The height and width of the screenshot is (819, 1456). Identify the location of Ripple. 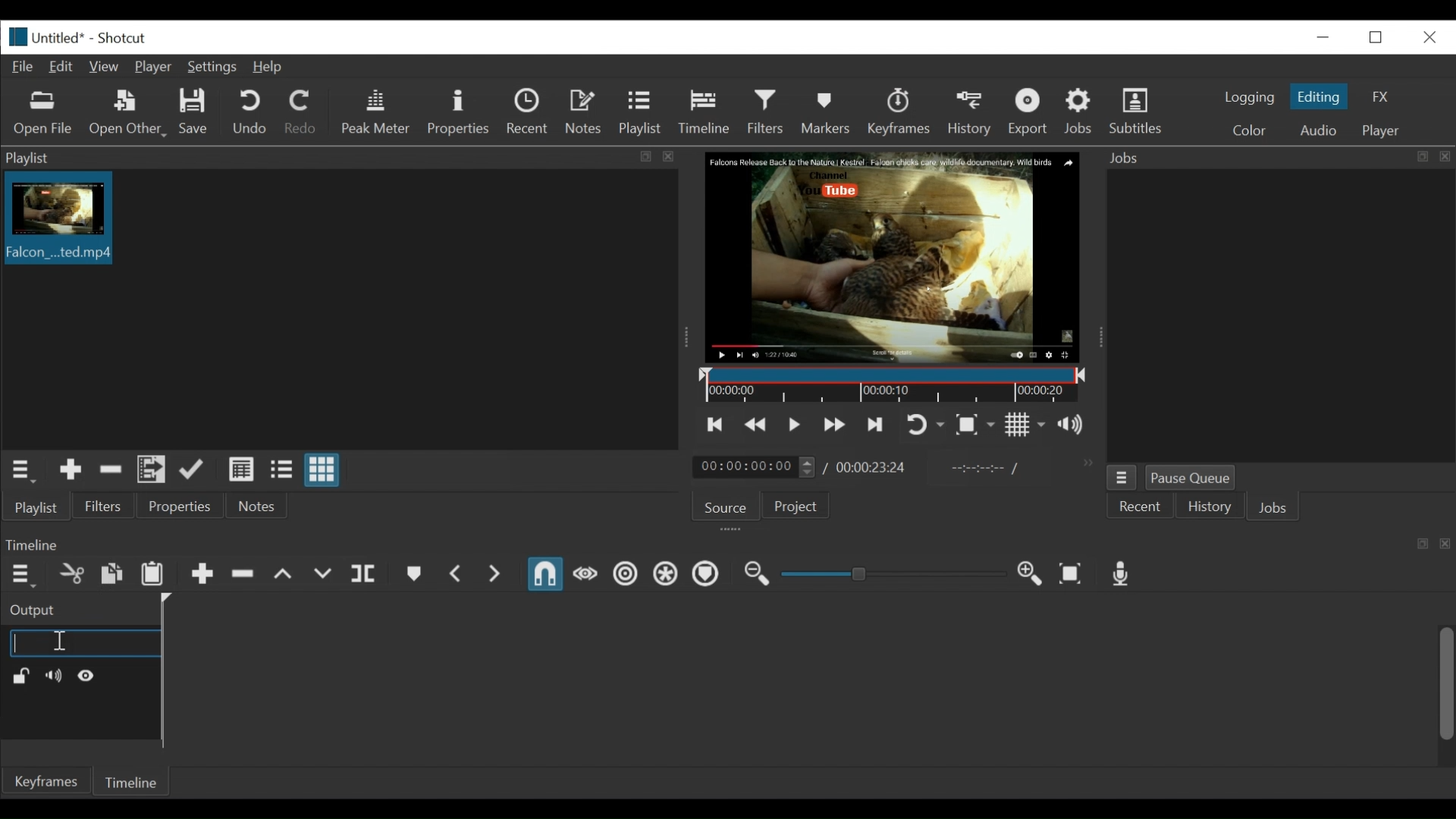
(626, 575).